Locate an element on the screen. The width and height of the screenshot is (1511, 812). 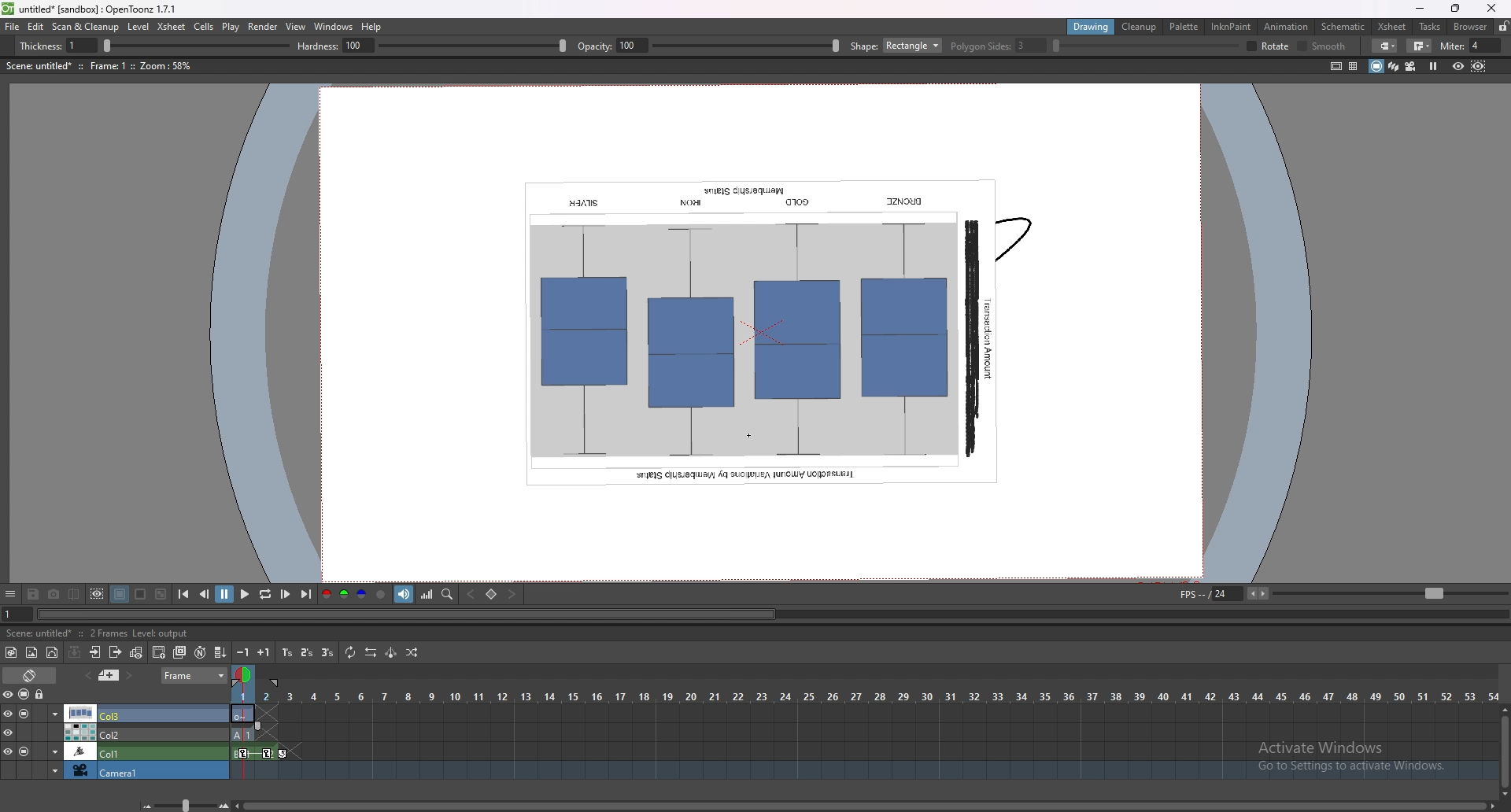
histogram is located at coordinates (427, 594).